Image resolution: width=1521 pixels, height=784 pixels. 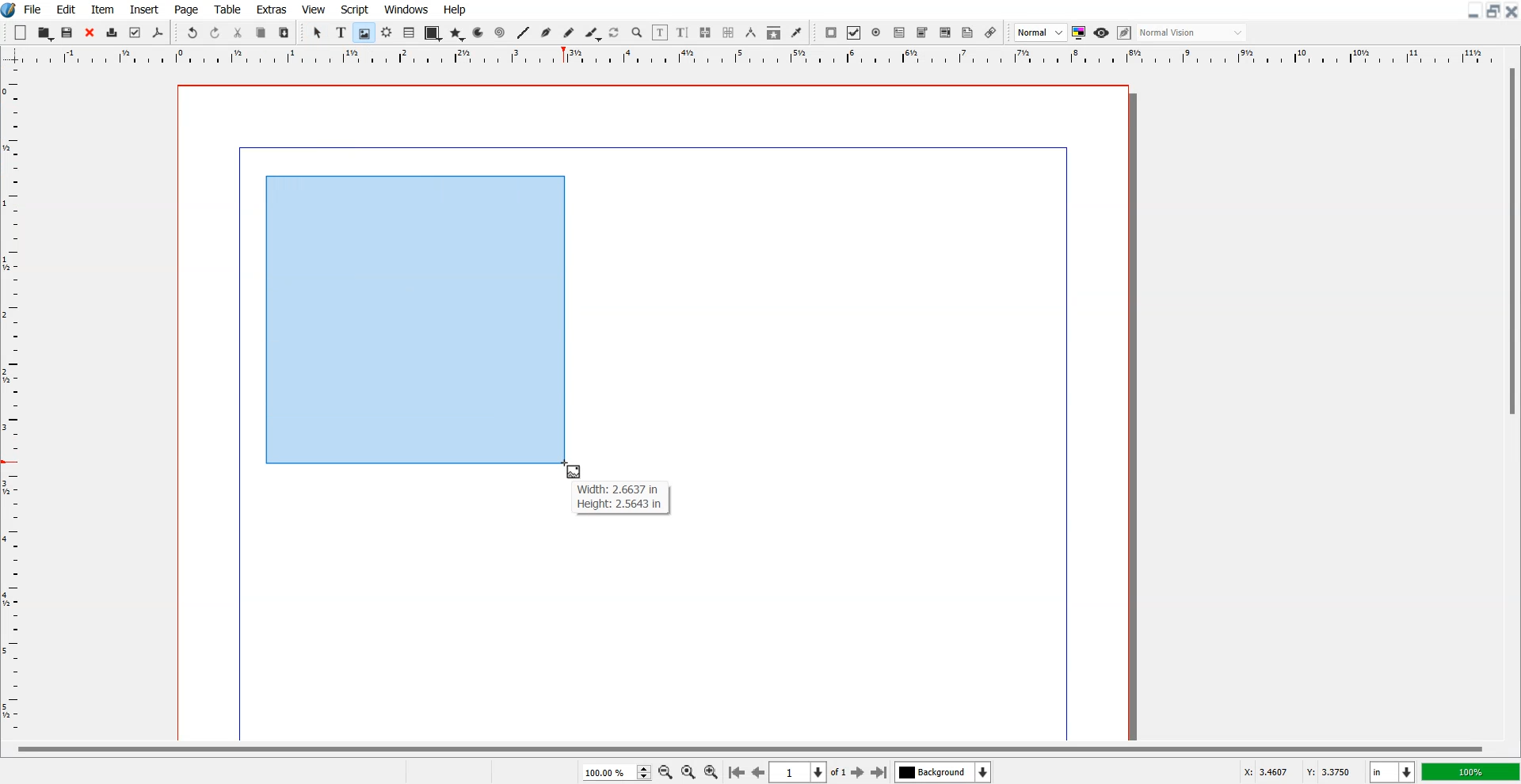 What do you see at coordinates (1079, 32) in the screenshot?
I see `Toggler color management` at bounding box center [1079, 32].